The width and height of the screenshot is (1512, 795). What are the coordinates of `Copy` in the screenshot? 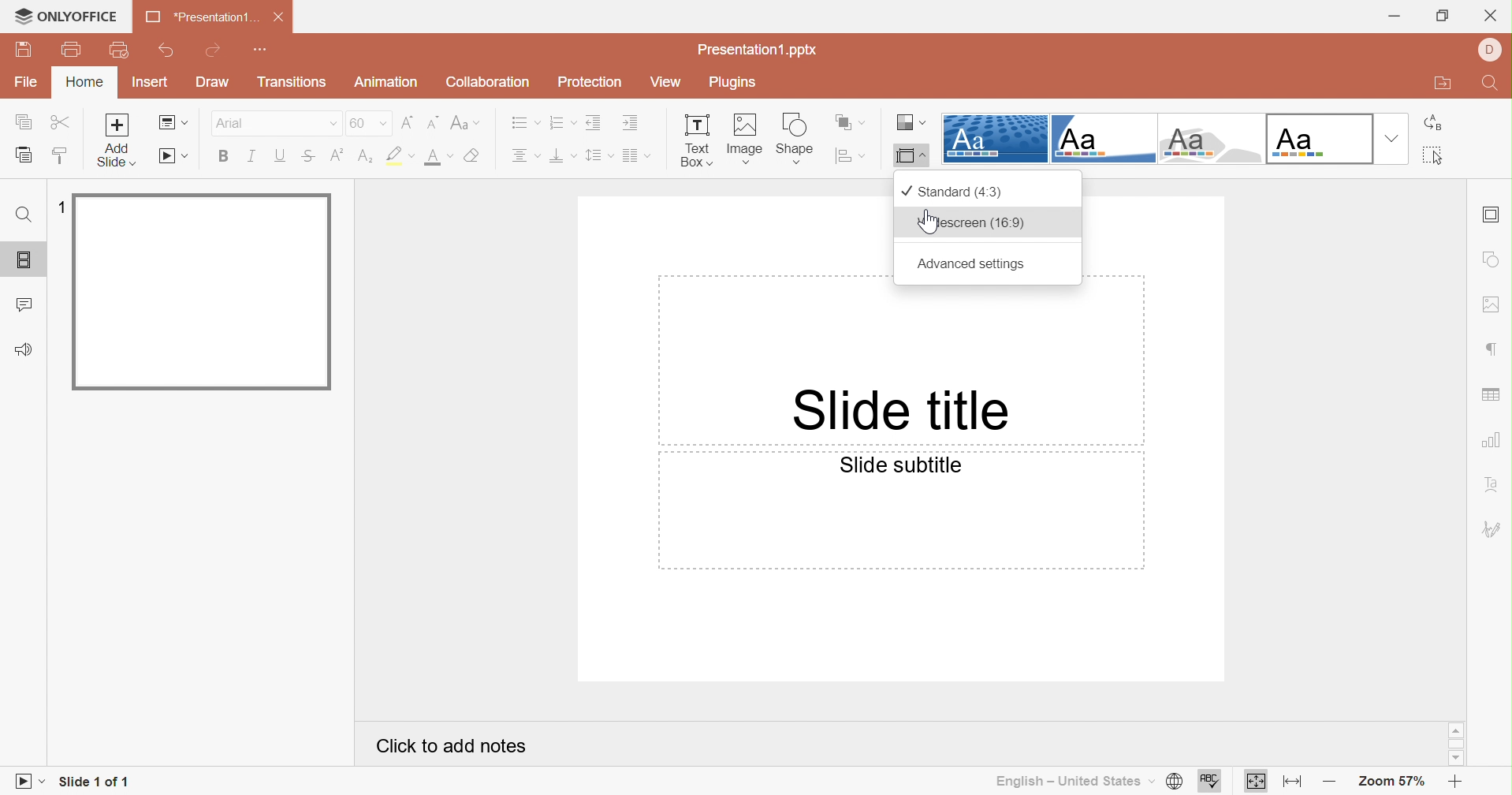 It's located at (24, 121).